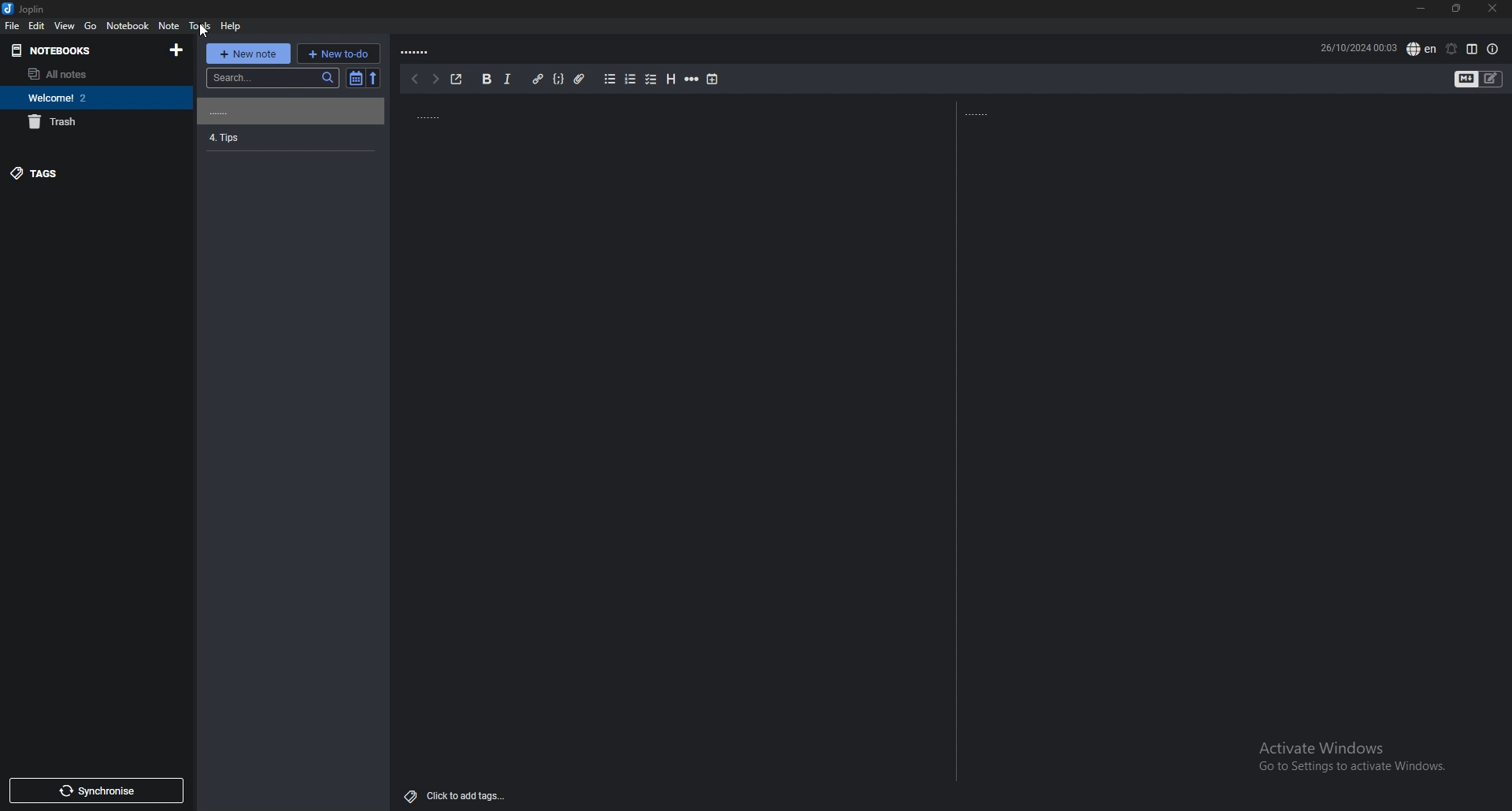  I want to click on file, so click(12, 26).